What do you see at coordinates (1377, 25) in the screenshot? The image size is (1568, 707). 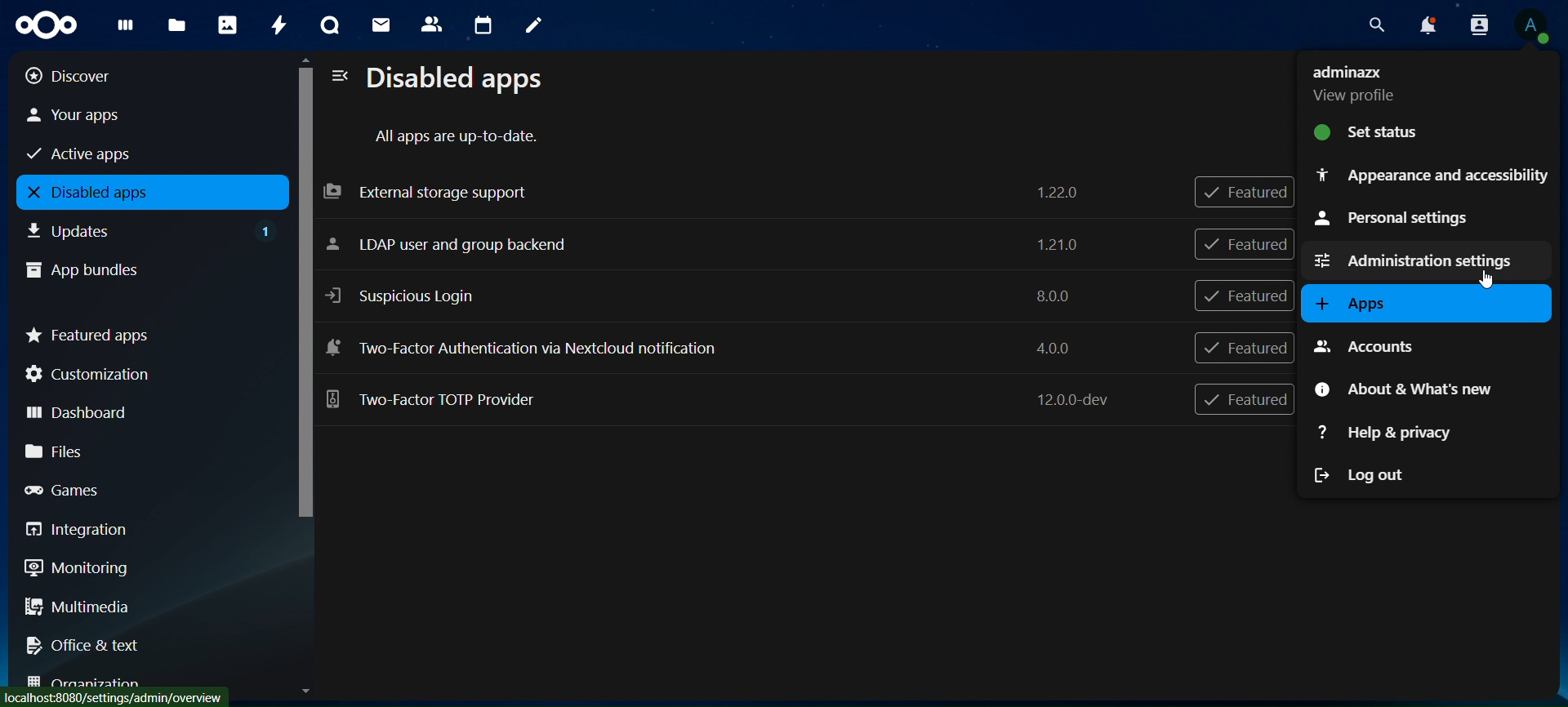 I see `search` at bounding box center [1377, 25].